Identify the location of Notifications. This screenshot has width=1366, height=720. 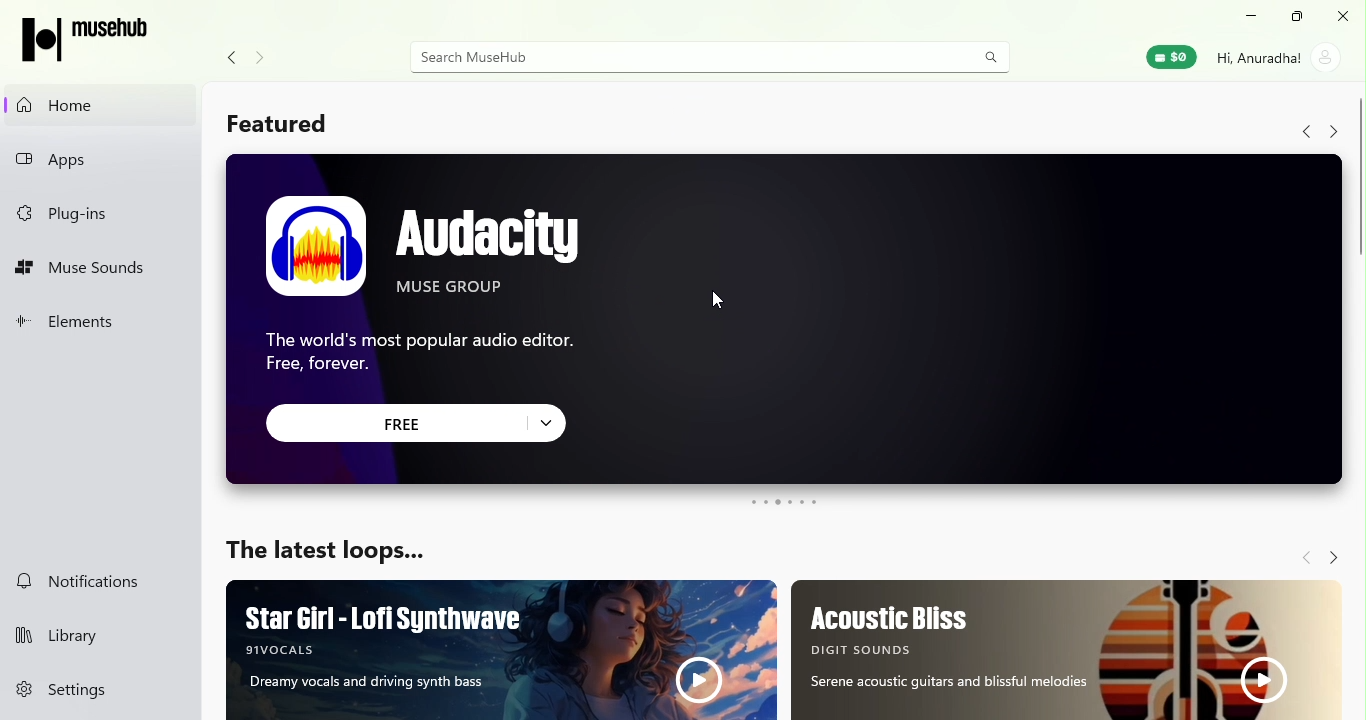
(98, 583).